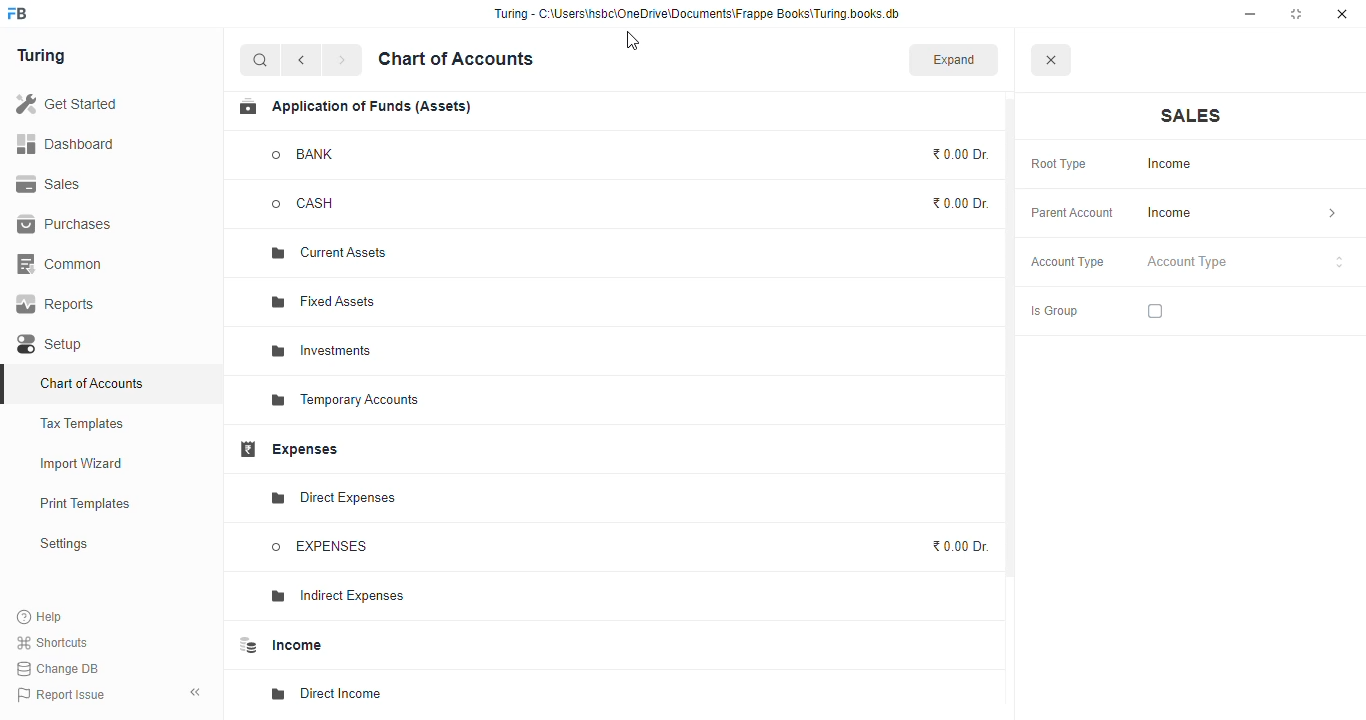 The width and height of the screenshot is (1366, 720). What do you see at coordinates (354, 107) in the screenshot?
I see `application of funds (assets)` at bounding box center [354, 107].